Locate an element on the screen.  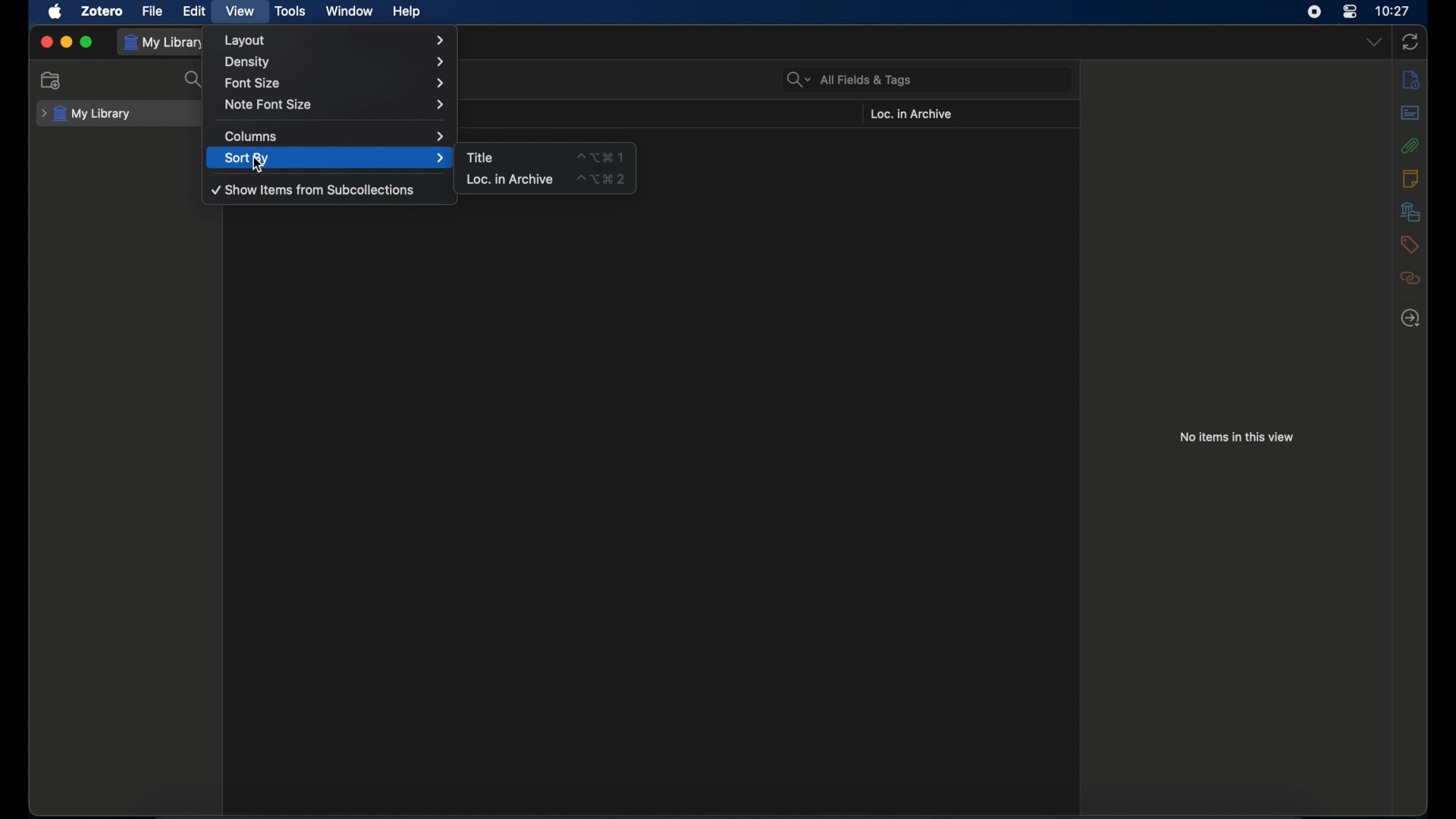
locate is located at coordinates (1410, 319).